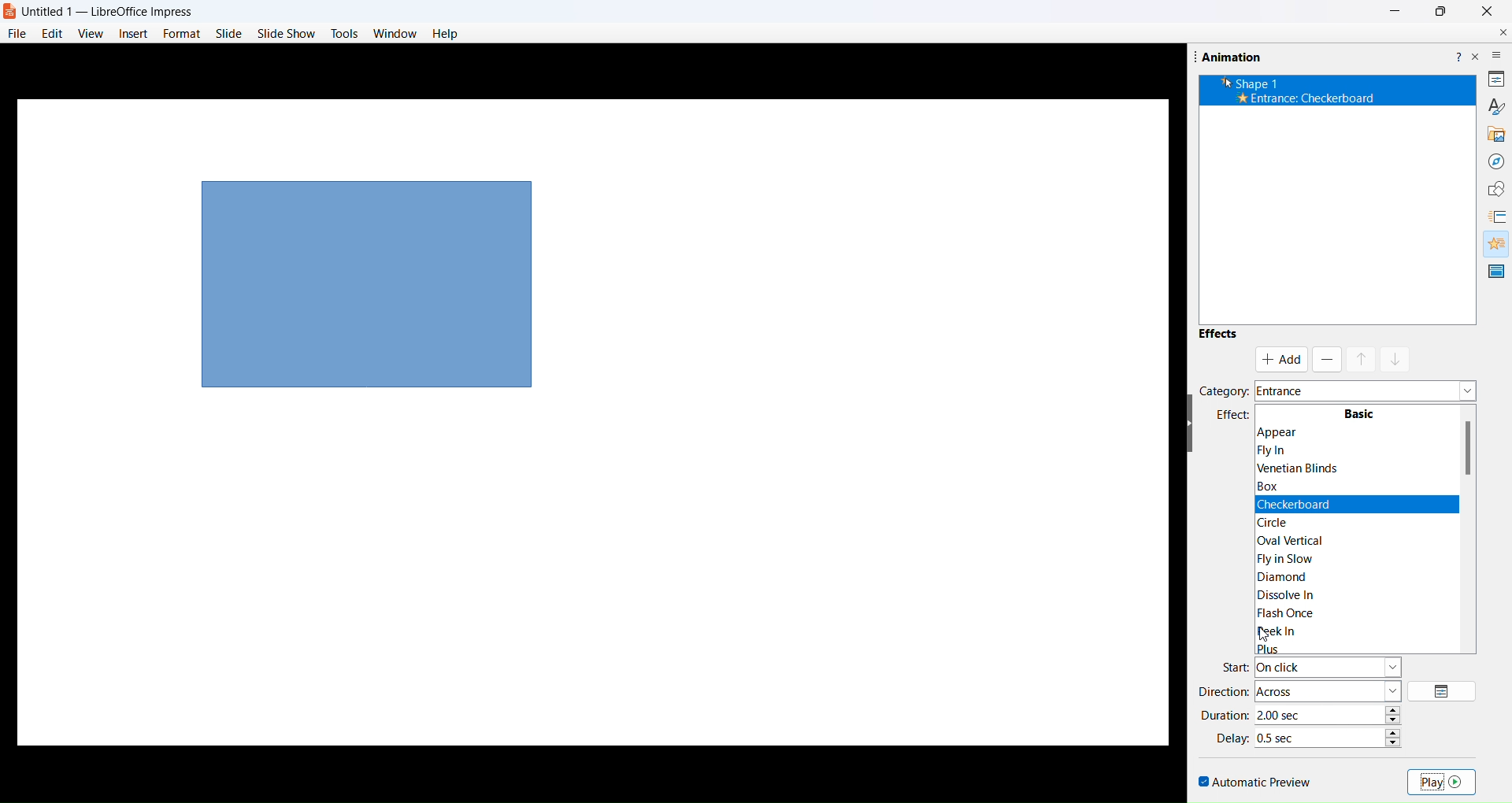 This screenshot has width=1512, height=803. Describe the element at coordinates (1284, 539) in the screenshot. I see `oval vertical` at that location.